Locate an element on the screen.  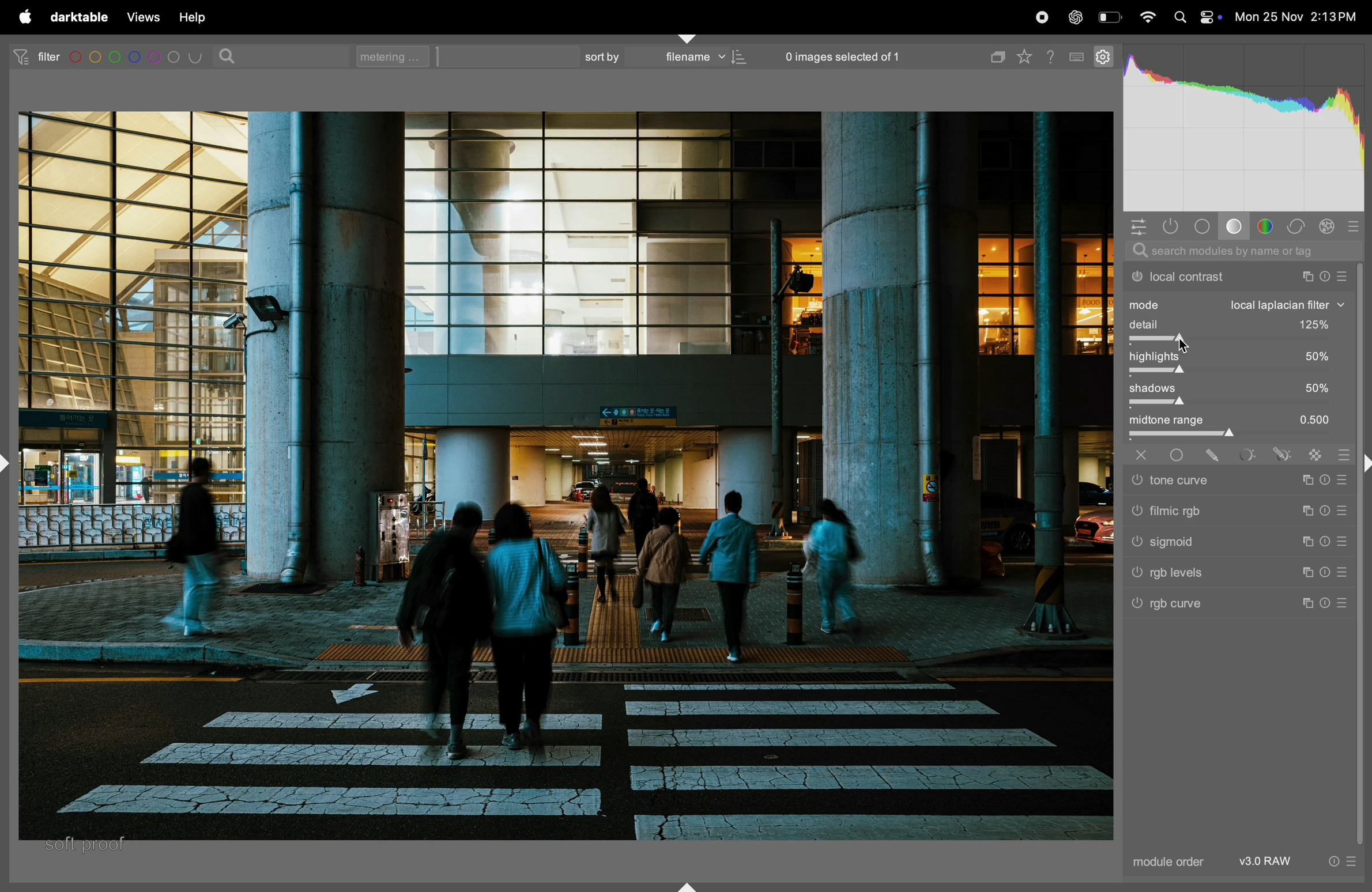
mode is located at coordinates (1238, 305).